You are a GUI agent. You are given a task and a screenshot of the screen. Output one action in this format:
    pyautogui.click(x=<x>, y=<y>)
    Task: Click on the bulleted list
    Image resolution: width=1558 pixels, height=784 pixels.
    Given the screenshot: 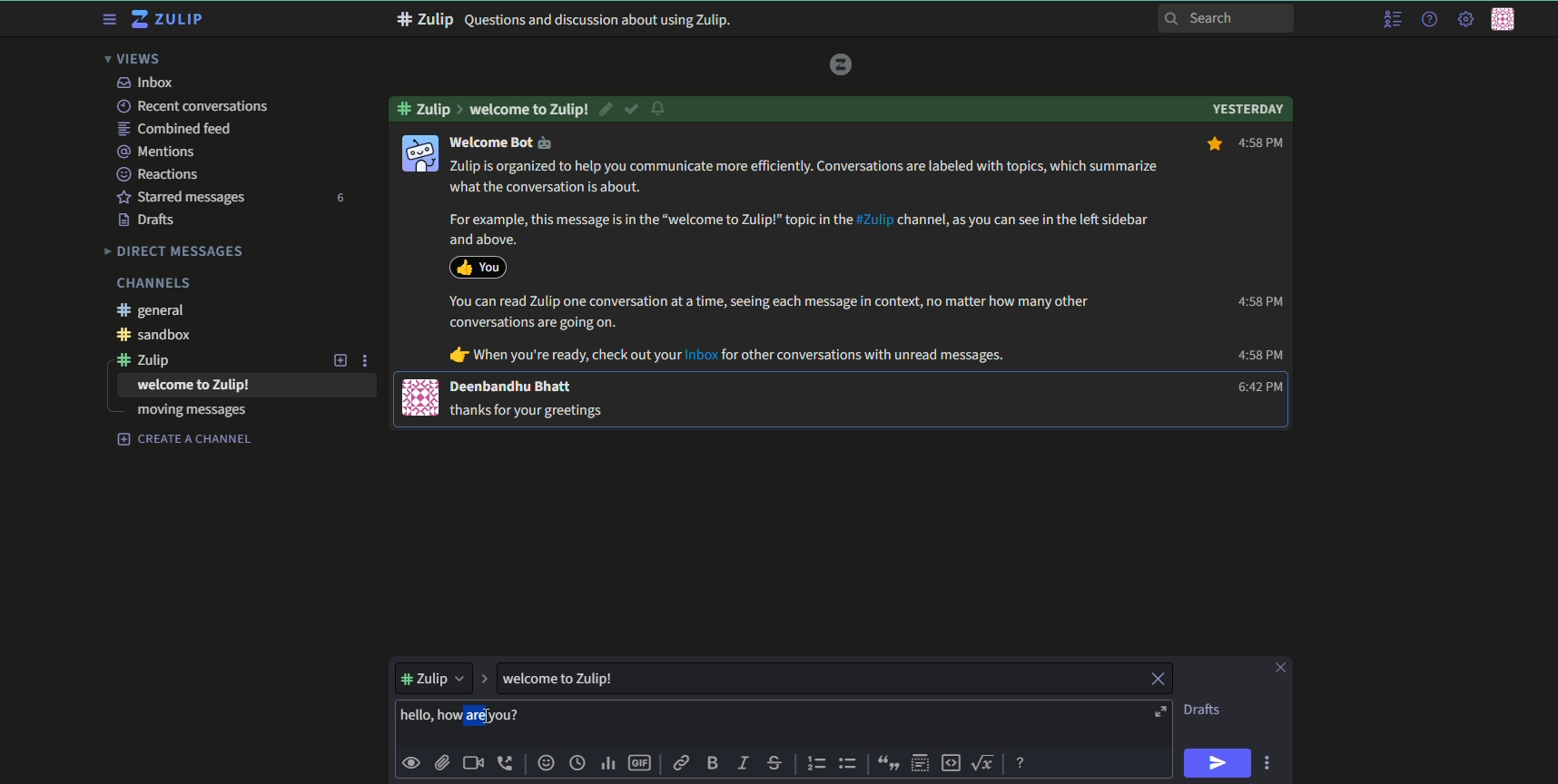 What is the action you would take?
    pyautogui.click(x=848, y=763)
    